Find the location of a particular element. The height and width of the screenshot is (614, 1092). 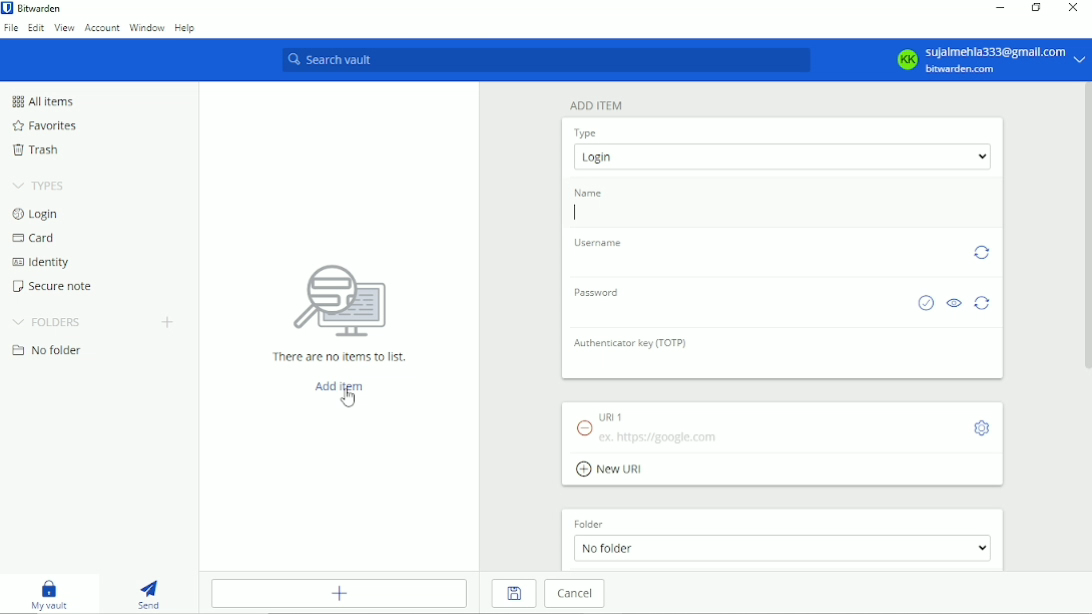

No Folder is located at coordinates (782, 548).